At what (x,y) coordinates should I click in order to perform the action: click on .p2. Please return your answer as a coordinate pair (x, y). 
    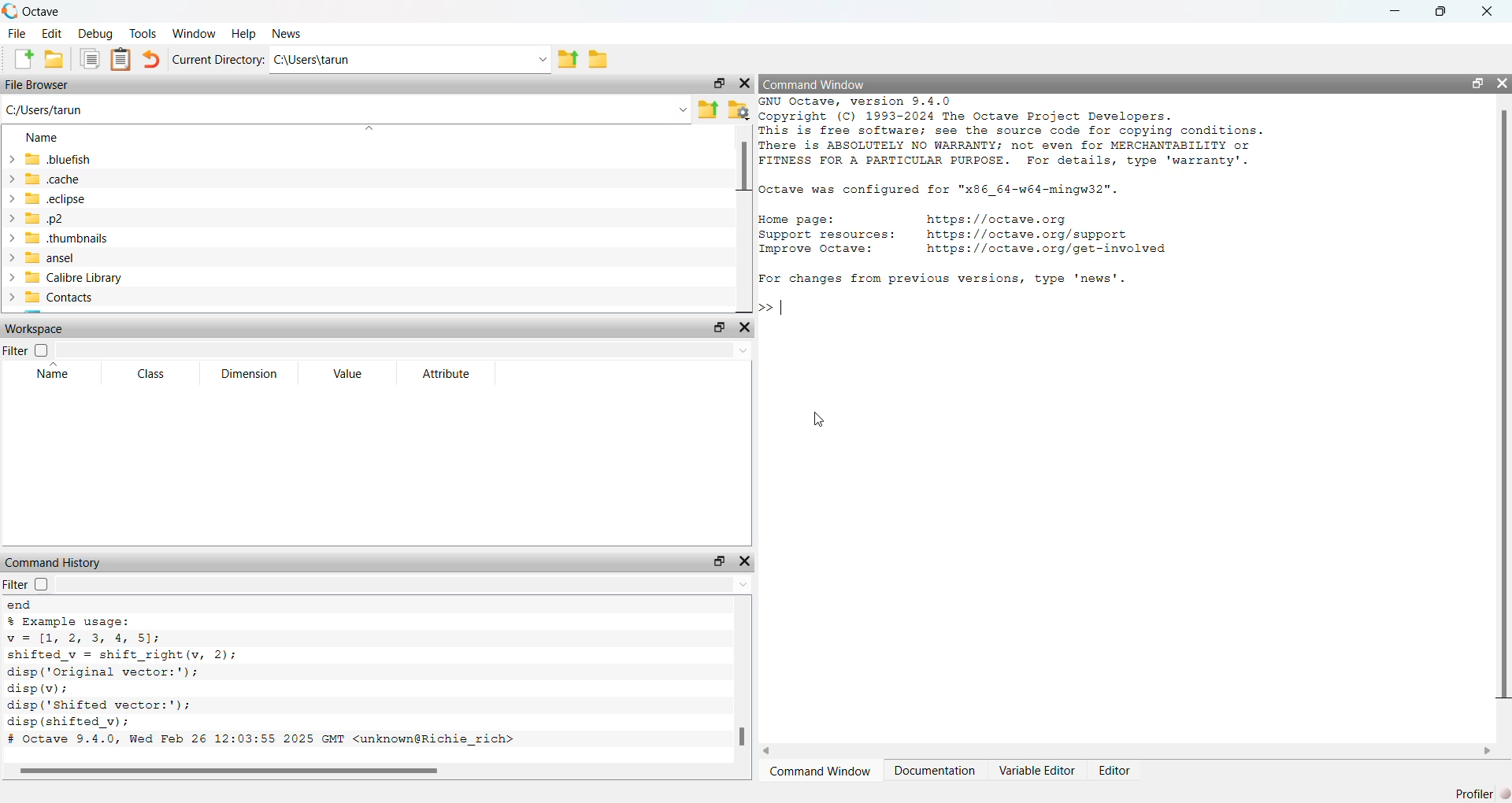
    Looking at the image, I should click on (76, 219).